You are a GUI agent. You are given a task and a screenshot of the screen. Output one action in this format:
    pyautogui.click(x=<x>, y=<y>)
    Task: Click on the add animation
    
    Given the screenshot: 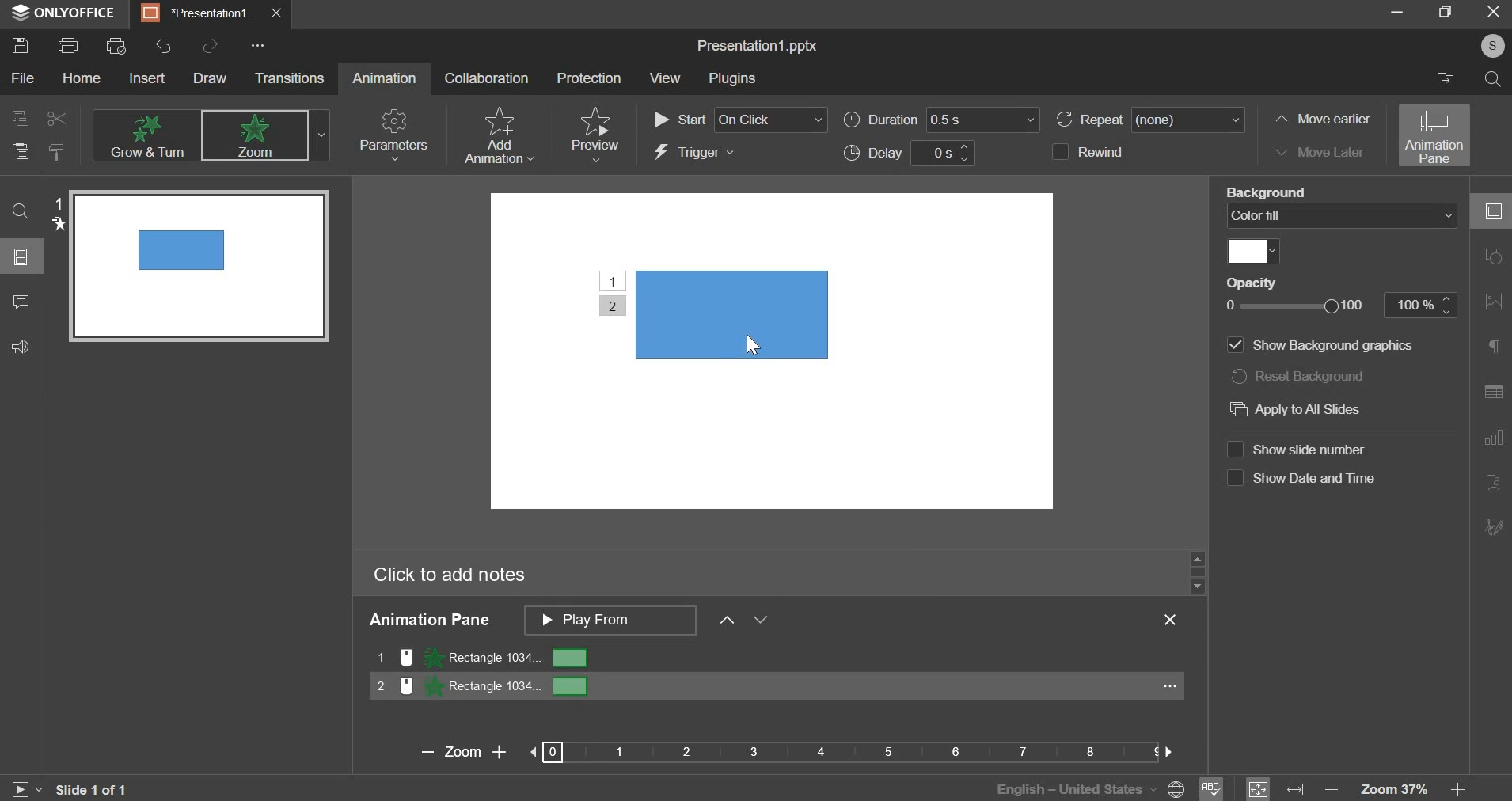 What is the action you would take?
    pyautogui.click(x=502, y=135)
    